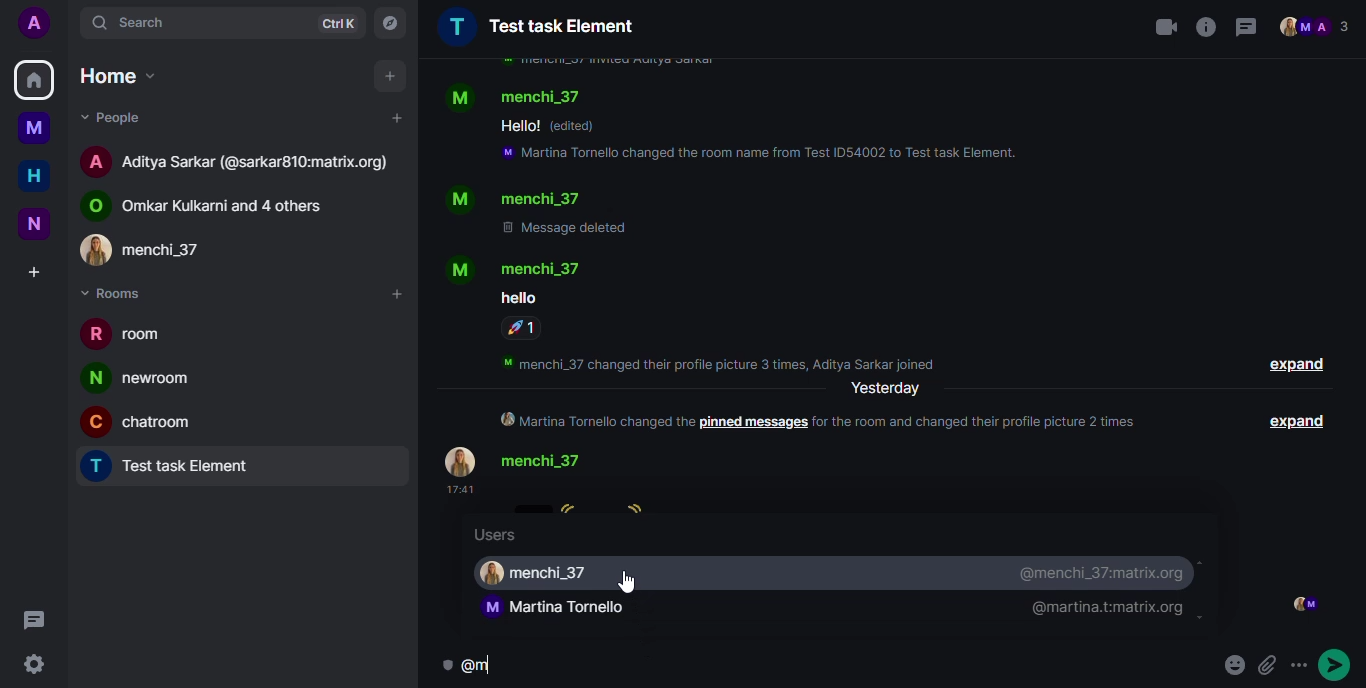 The image size is (1366, 688). Describe the element at coordinates (178, 468) in the screenshot. I see `Test task element` at that location.